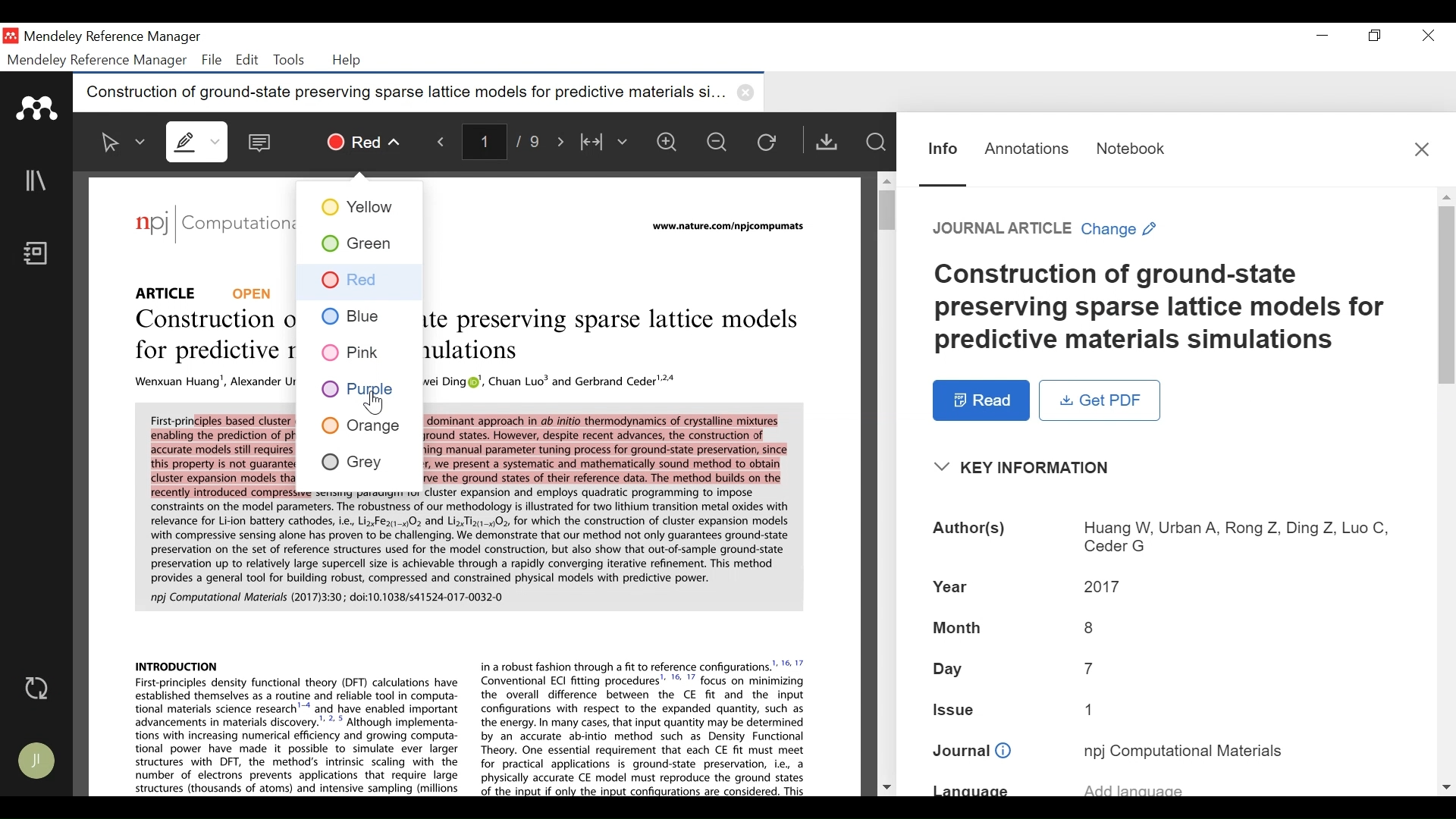 Image resolution: width=1456 pixels, height=819 pixels. I want to click on Restore, so click(1376, 36).